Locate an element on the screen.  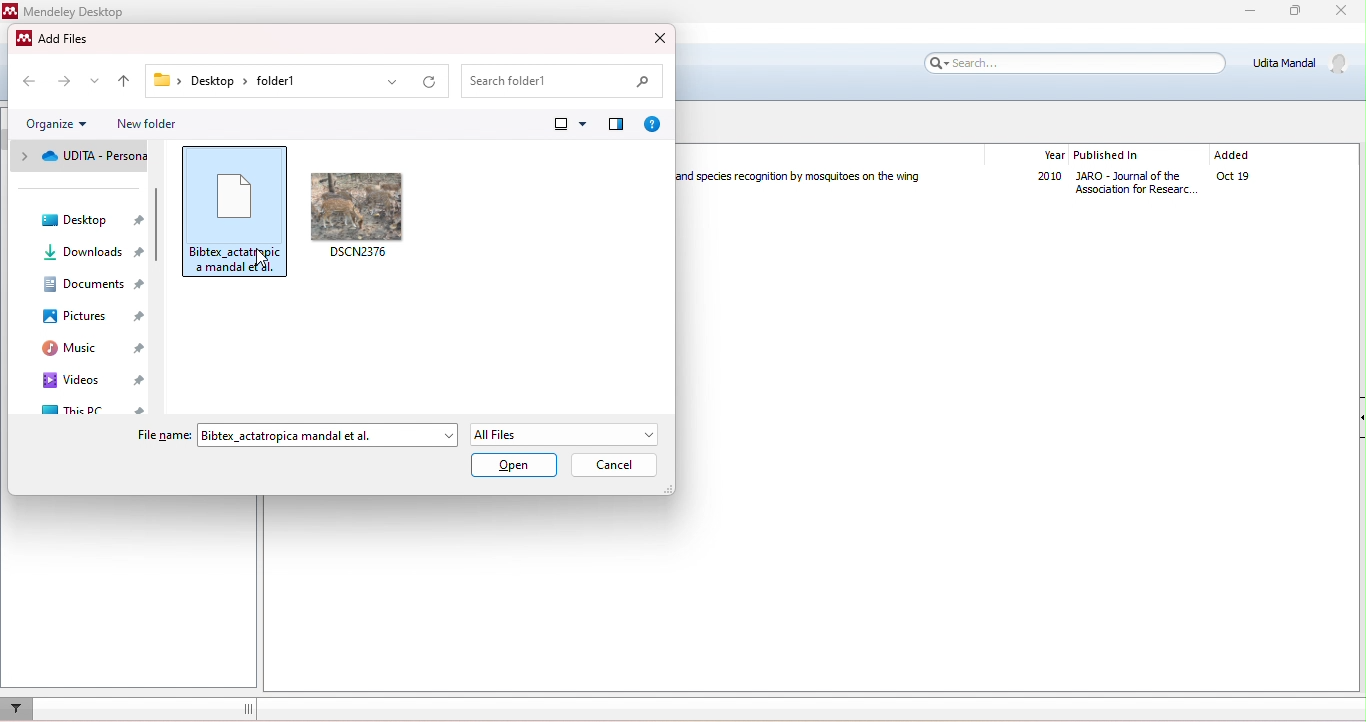
Mendeley Desktop is located at coordinates (73, 12).